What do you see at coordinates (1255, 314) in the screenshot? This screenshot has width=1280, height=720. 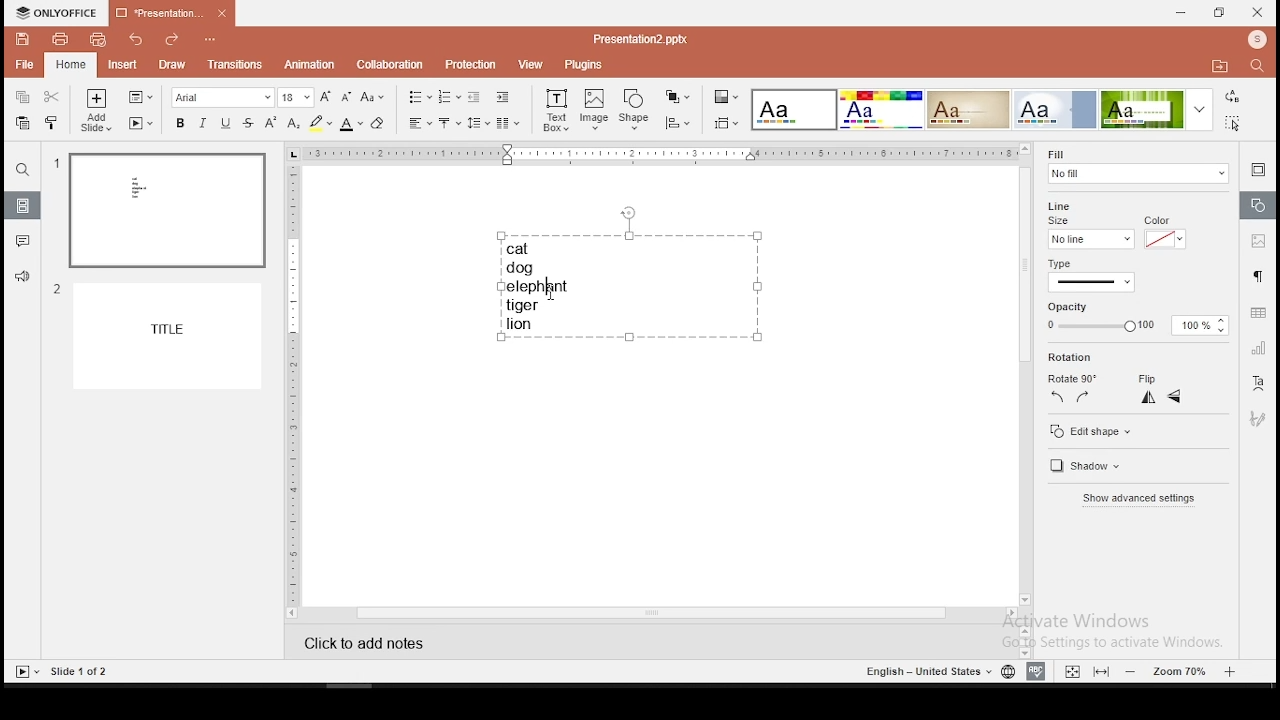 I see `table settings` at bounding box center [1255, 314].